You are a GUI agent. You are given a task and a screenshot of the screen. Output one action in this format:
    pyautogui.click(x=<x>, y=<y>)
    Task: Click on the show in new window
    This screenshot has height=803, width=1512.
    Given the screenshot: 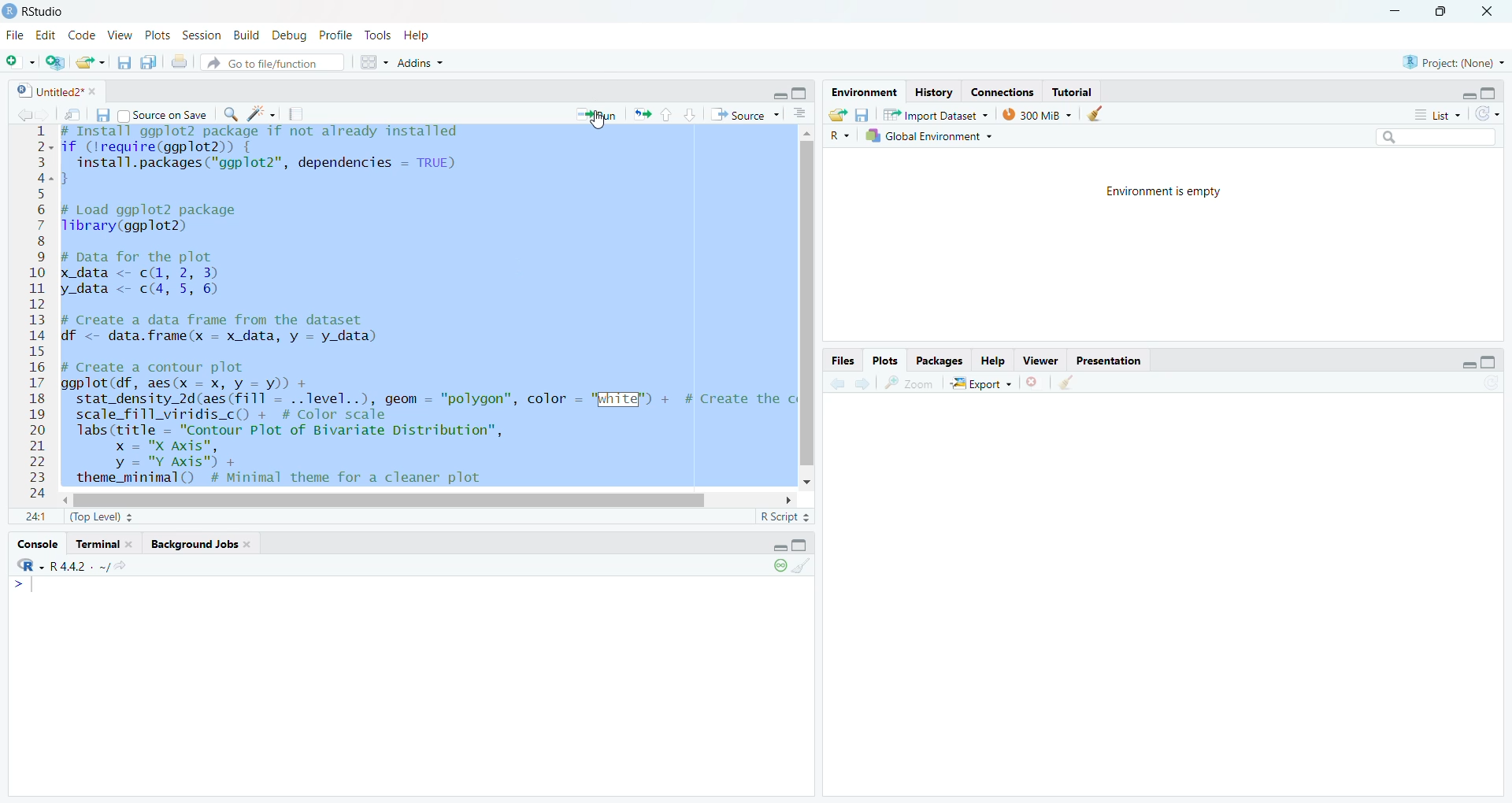 What is the action you would take?
    pyautogui.click(x=72, y=116)
    